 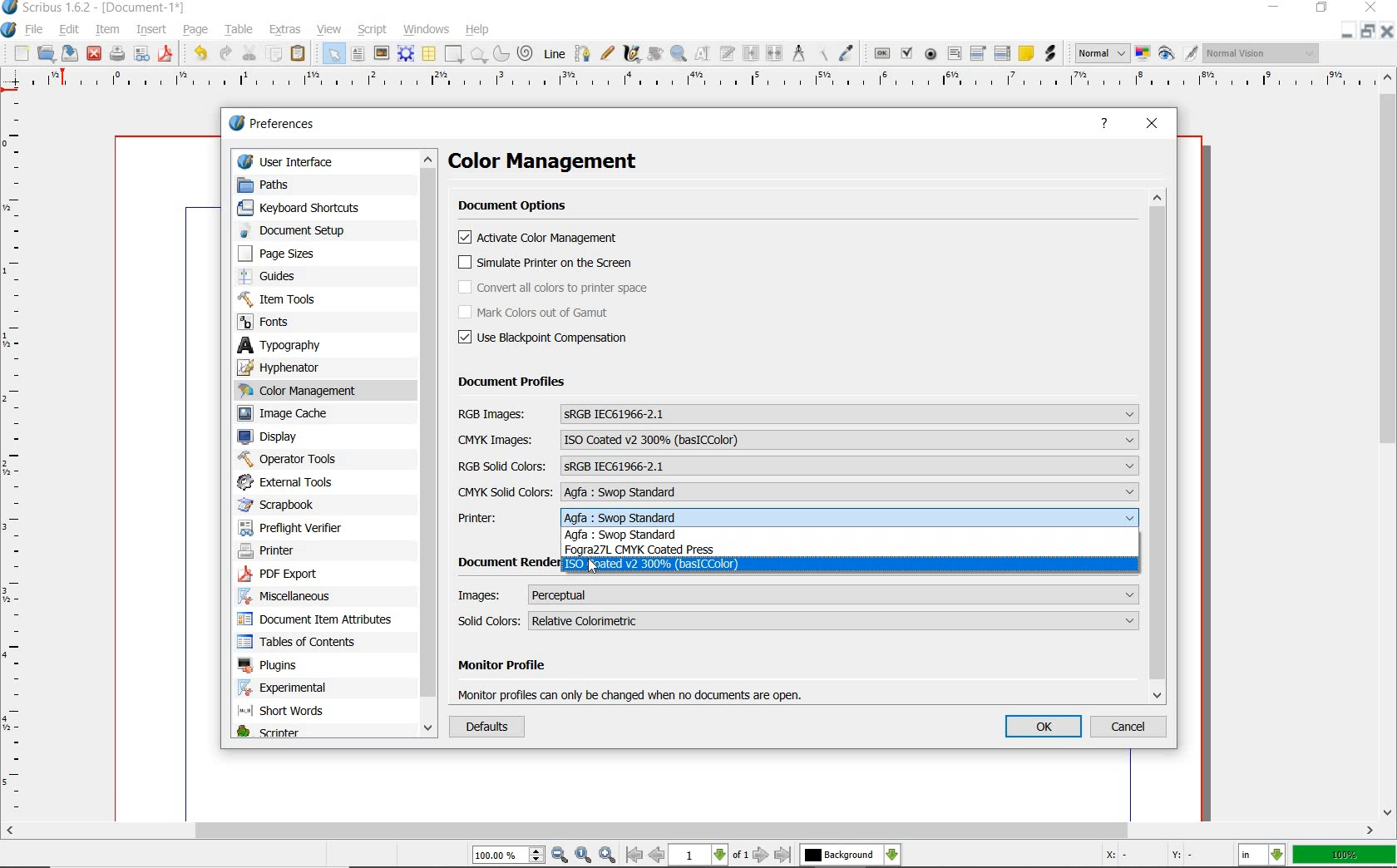 What do you see at coordinates (311, 346) in the screenshot?
I see `typography` at bounding box center [311, 346].